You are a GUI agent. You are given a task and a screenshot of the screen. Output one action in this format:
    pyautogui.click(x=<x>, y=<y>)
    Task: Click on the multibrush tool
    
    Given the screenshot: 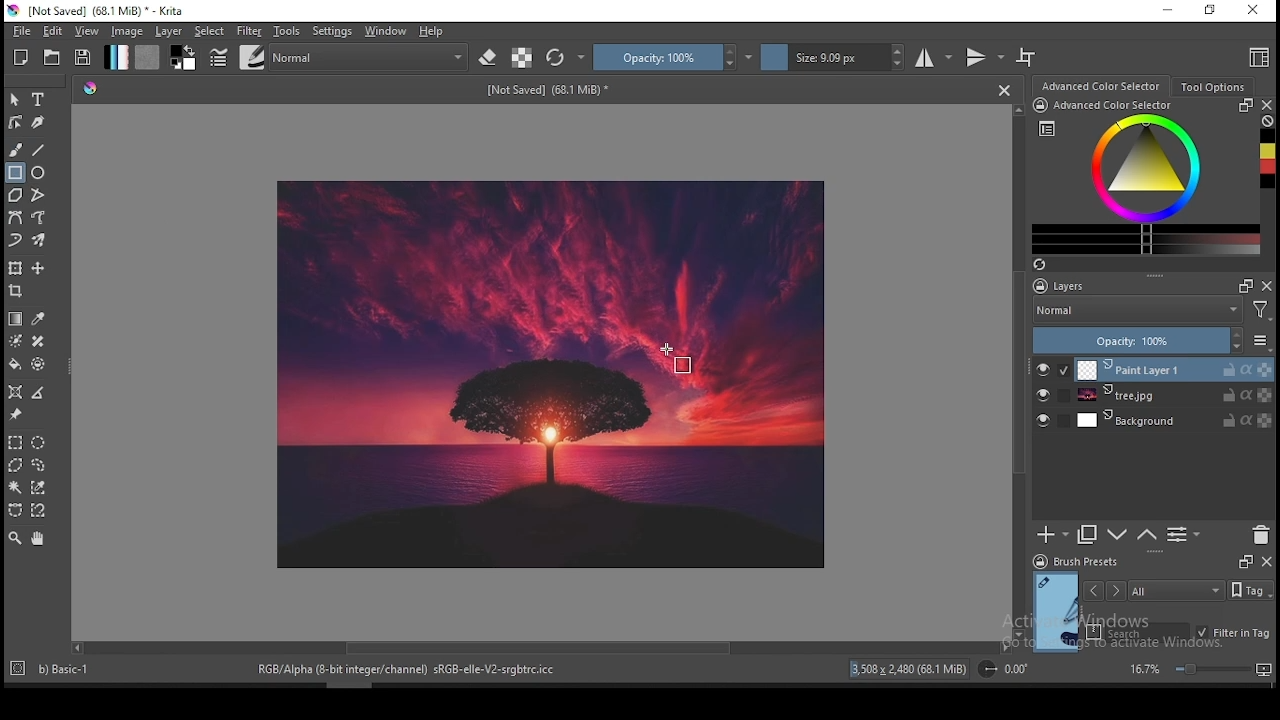 What is the action you would take?
    pyautogui.click(x=40, y=240)
    